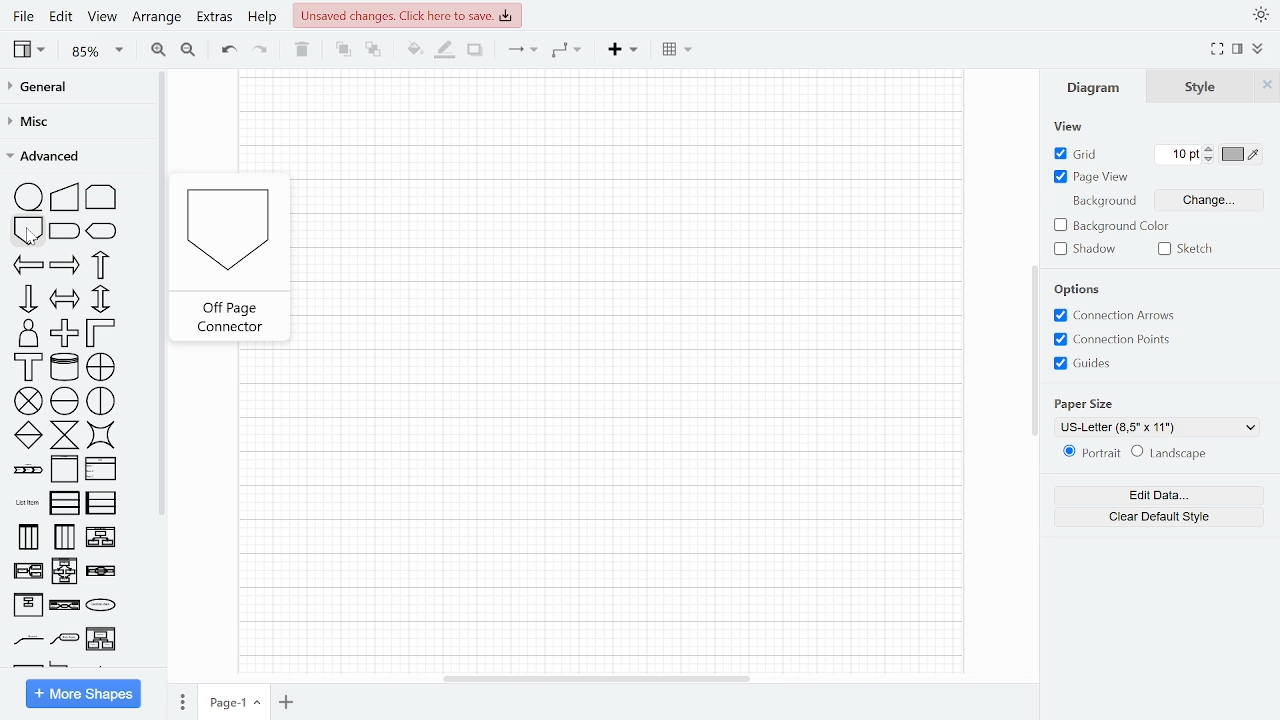 This screenshot has width=1280, height=720. Describe the element at coordinates (102, 16) in the screenshot. I see `View` at that location.